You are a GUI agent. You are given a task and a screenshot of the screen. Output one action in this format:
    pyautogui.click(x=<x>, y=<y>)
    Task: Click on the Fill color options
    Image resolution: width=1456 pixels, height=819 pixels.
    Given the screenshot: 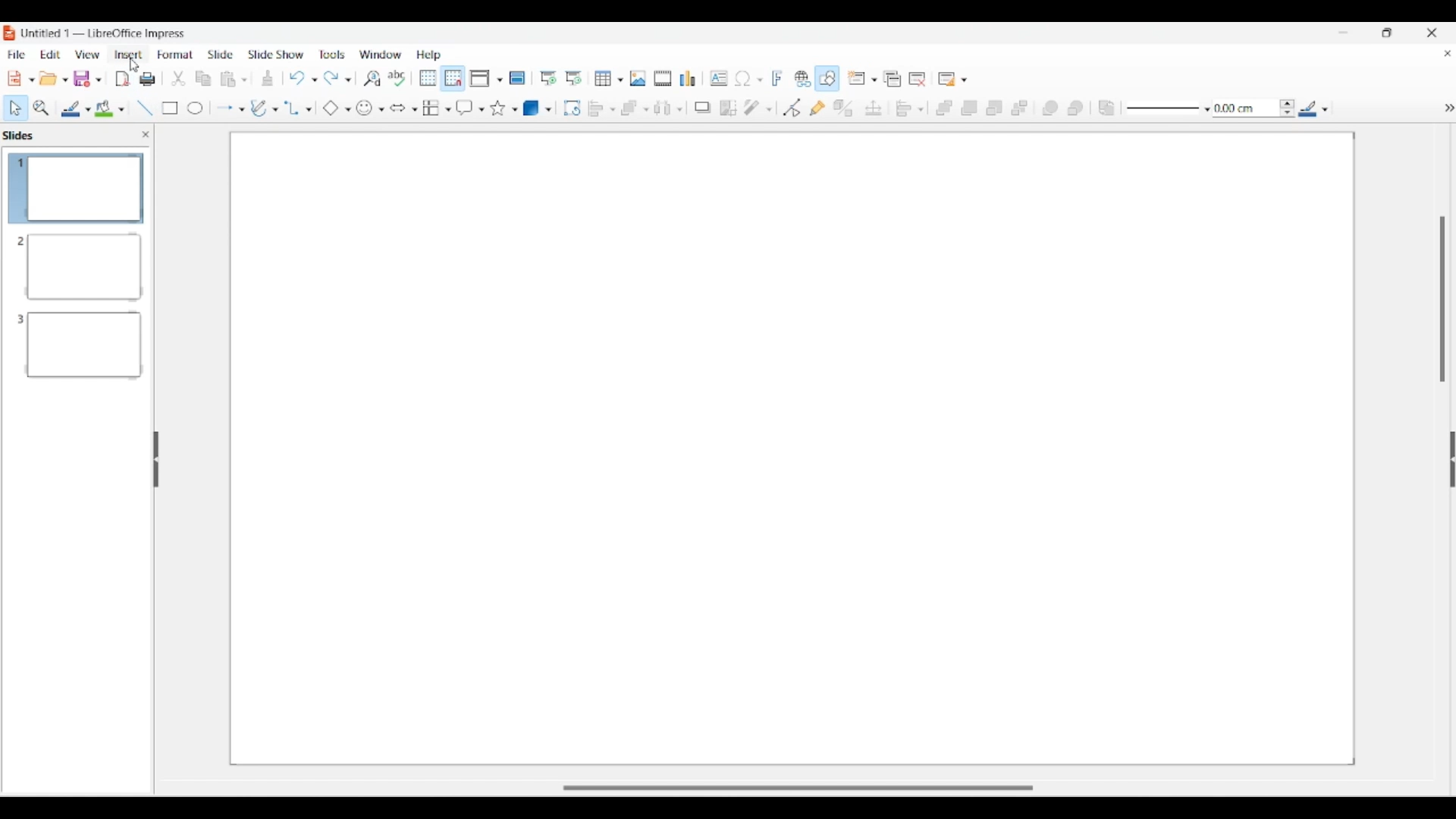 What is the action you would take?
    pyautogui.click(x=110, y=109)
    